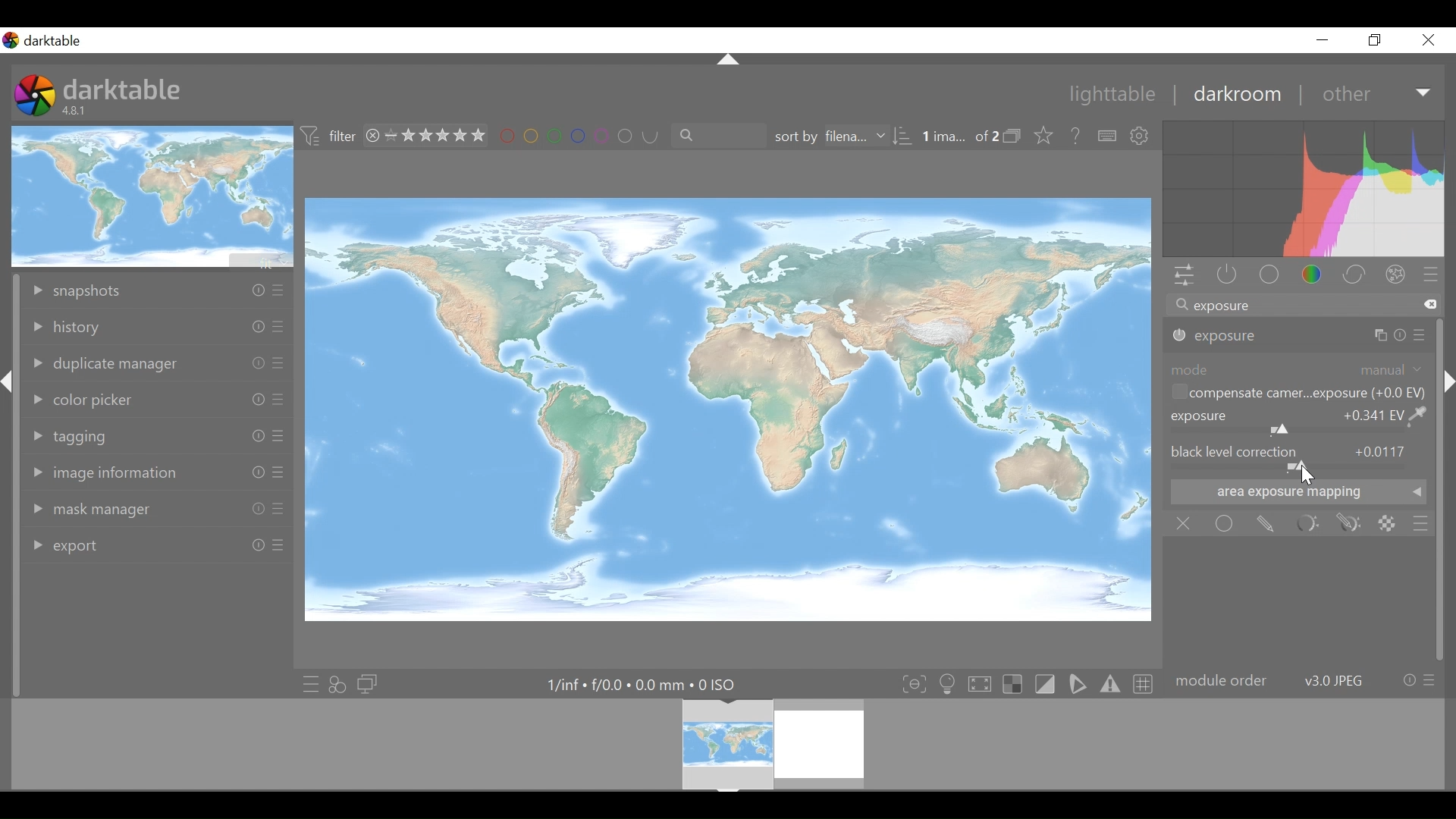 The width and height of the screenshot is (1456, 819). What do you see at coordinates (843, 136) in the screenshot?
I see `sort by` at bounding box center [843, 136].